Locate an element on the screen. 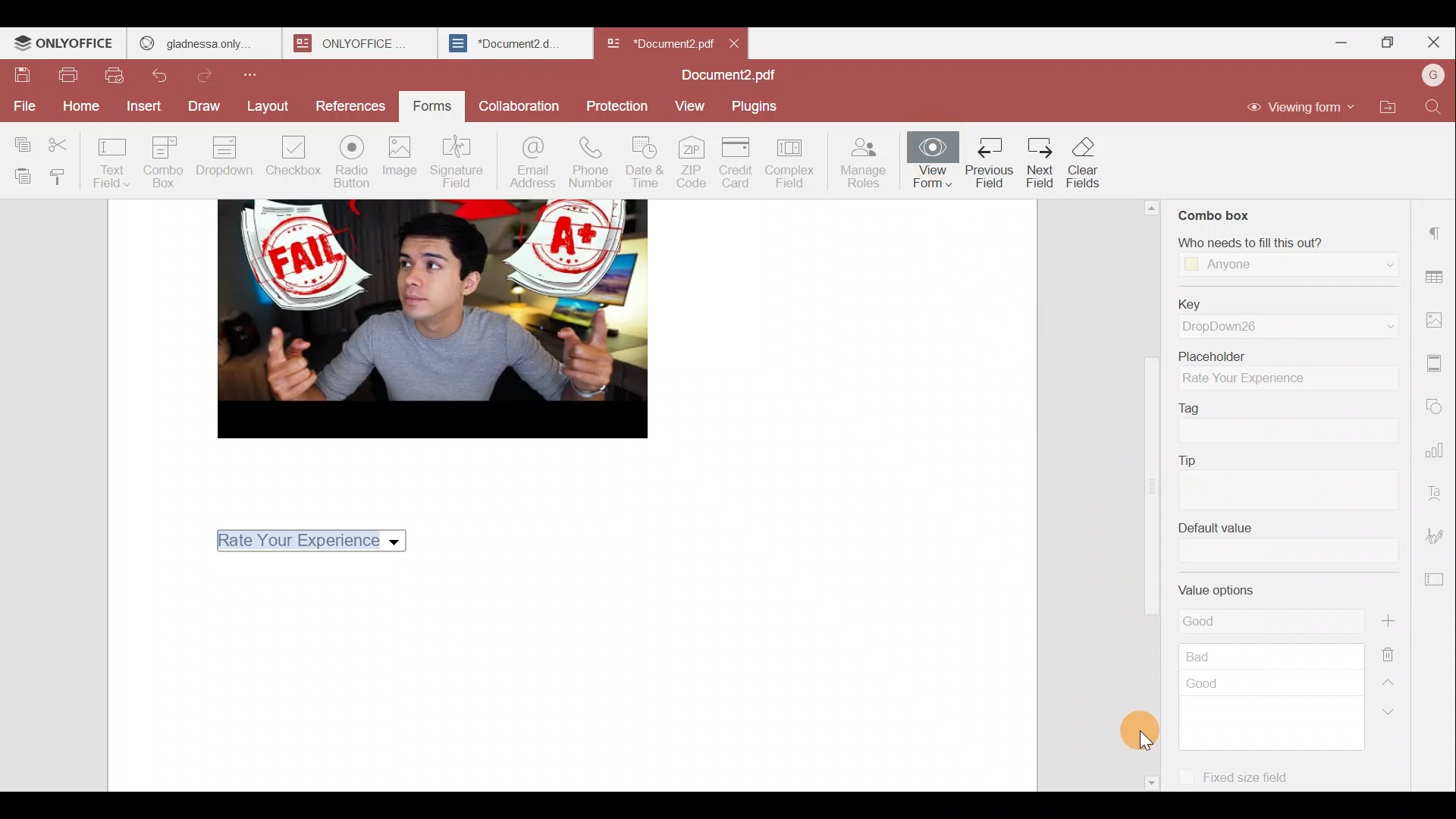 This screenshot has width=1456, height=819. Signature settings is located at coordinates (1437, 532).